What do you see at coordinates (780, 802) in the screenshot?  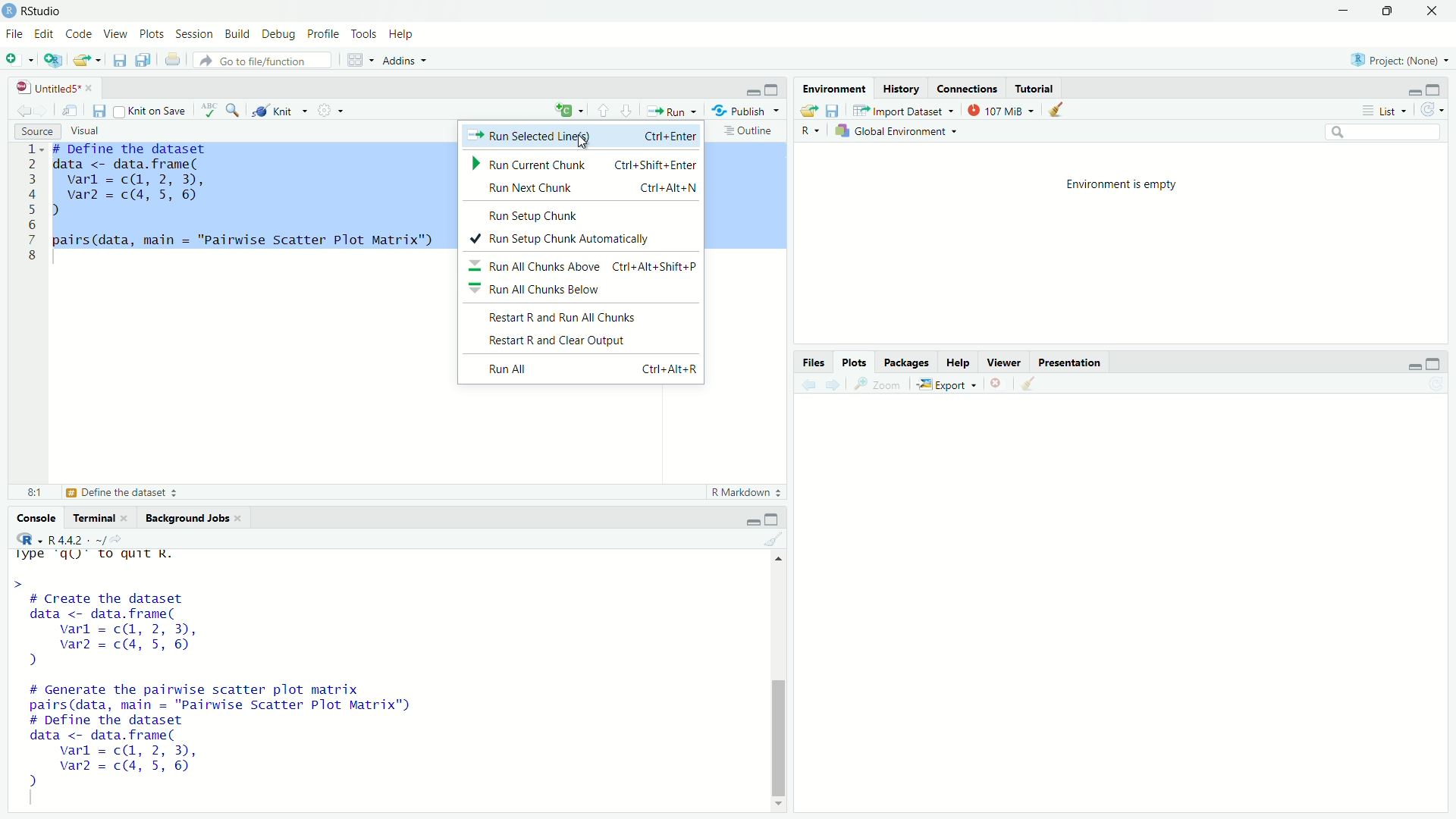 I see `Down` at bounding box center [780, 802].